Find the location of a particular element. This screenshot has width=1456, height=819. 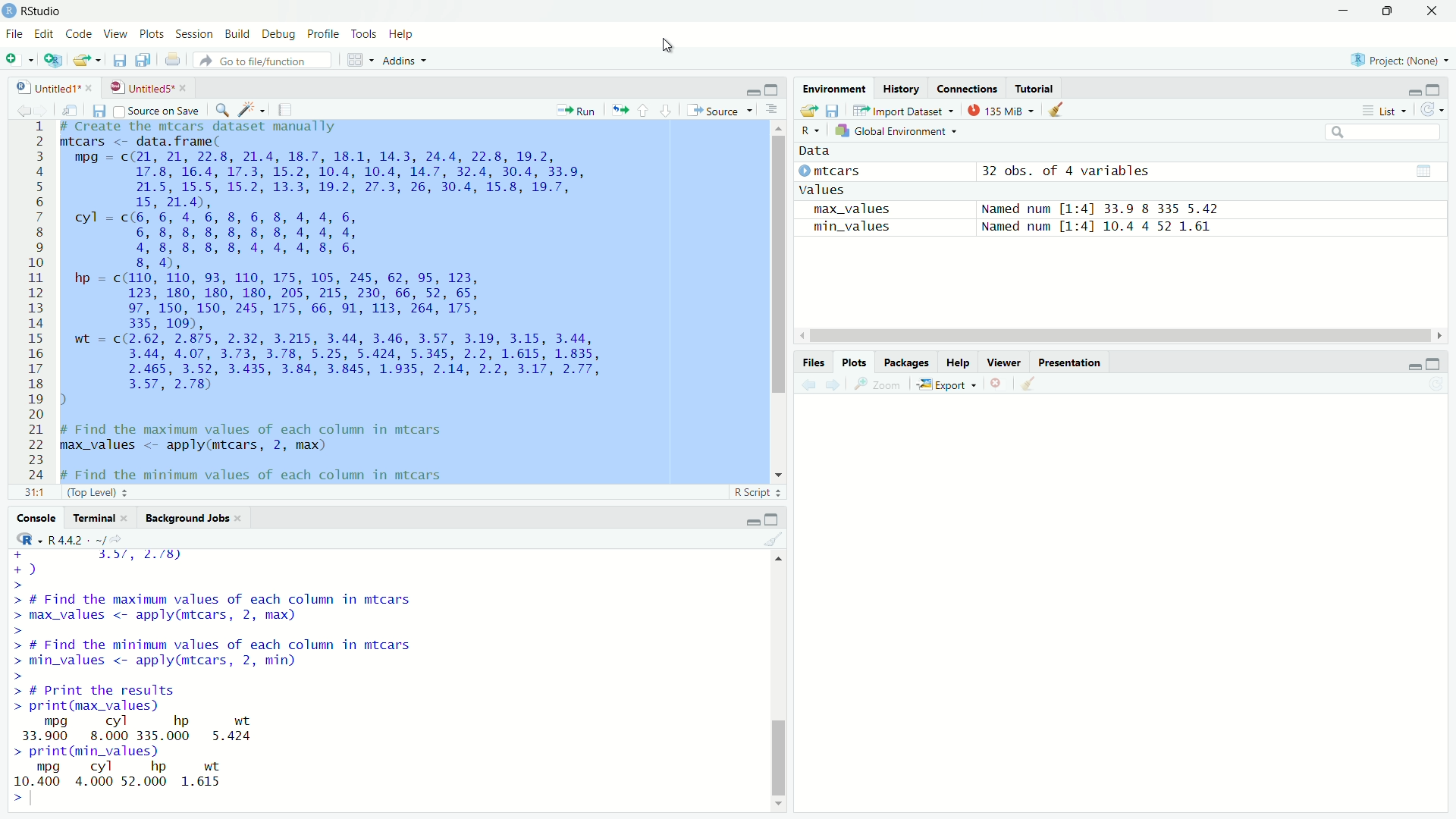

cursor is located at coordinates (667, 47).